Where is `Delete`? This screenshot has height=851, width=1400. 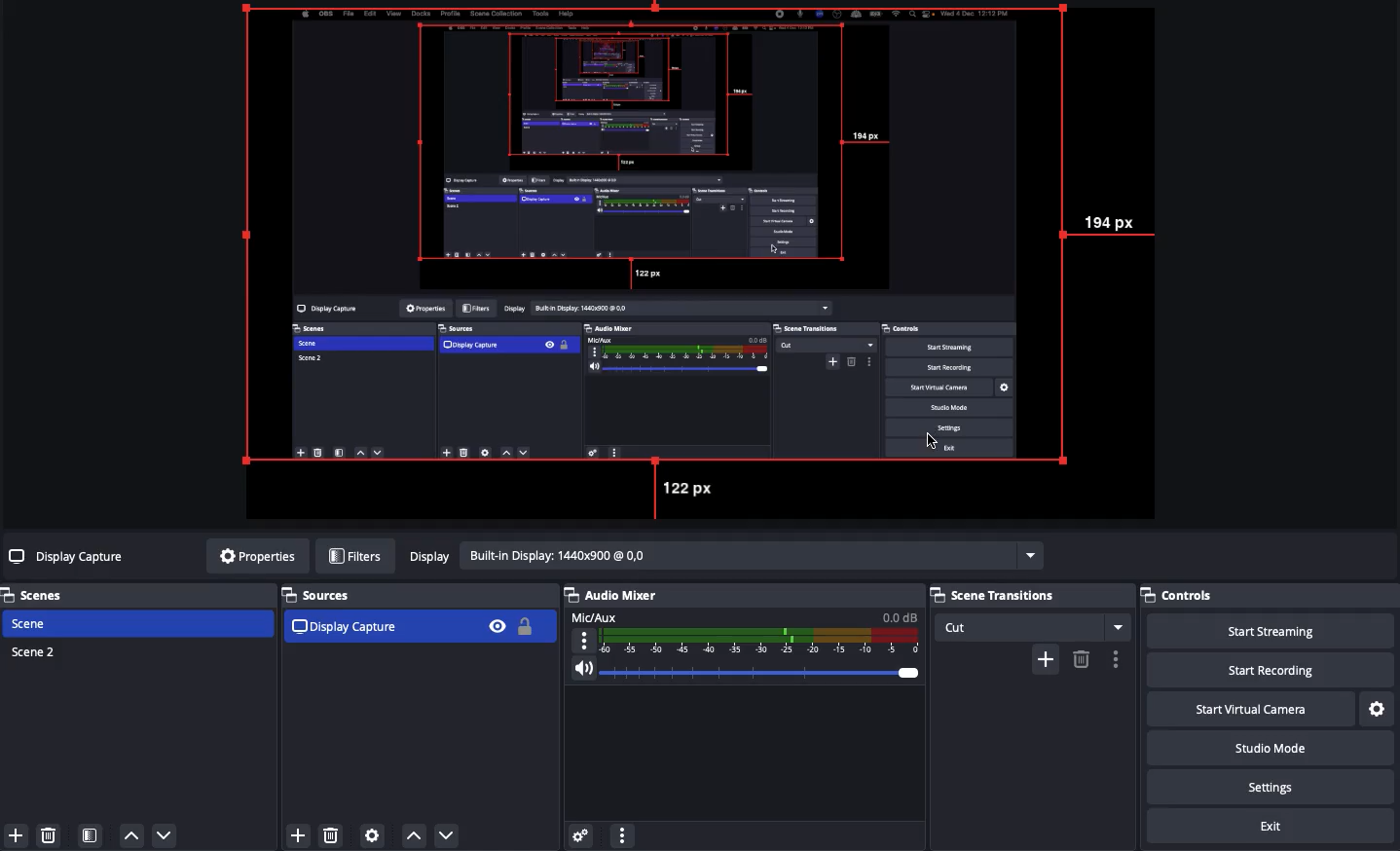 Delete is located at coordinates (332, 832).